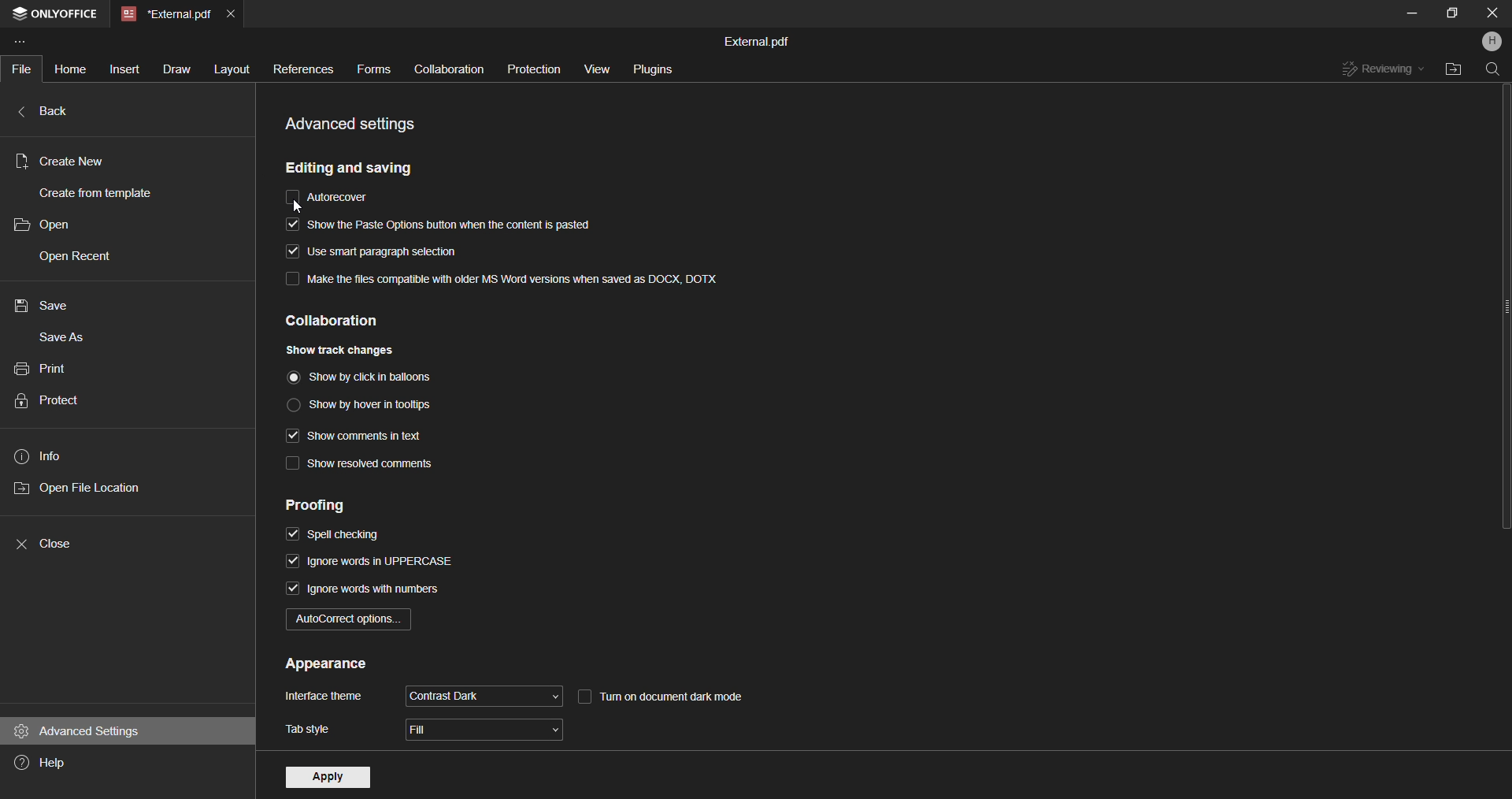 The image size is (1512, 799). What do you see at coordinates (105, 192) in the screenshot?
I see `create from template` at bounding box center [105, 192].